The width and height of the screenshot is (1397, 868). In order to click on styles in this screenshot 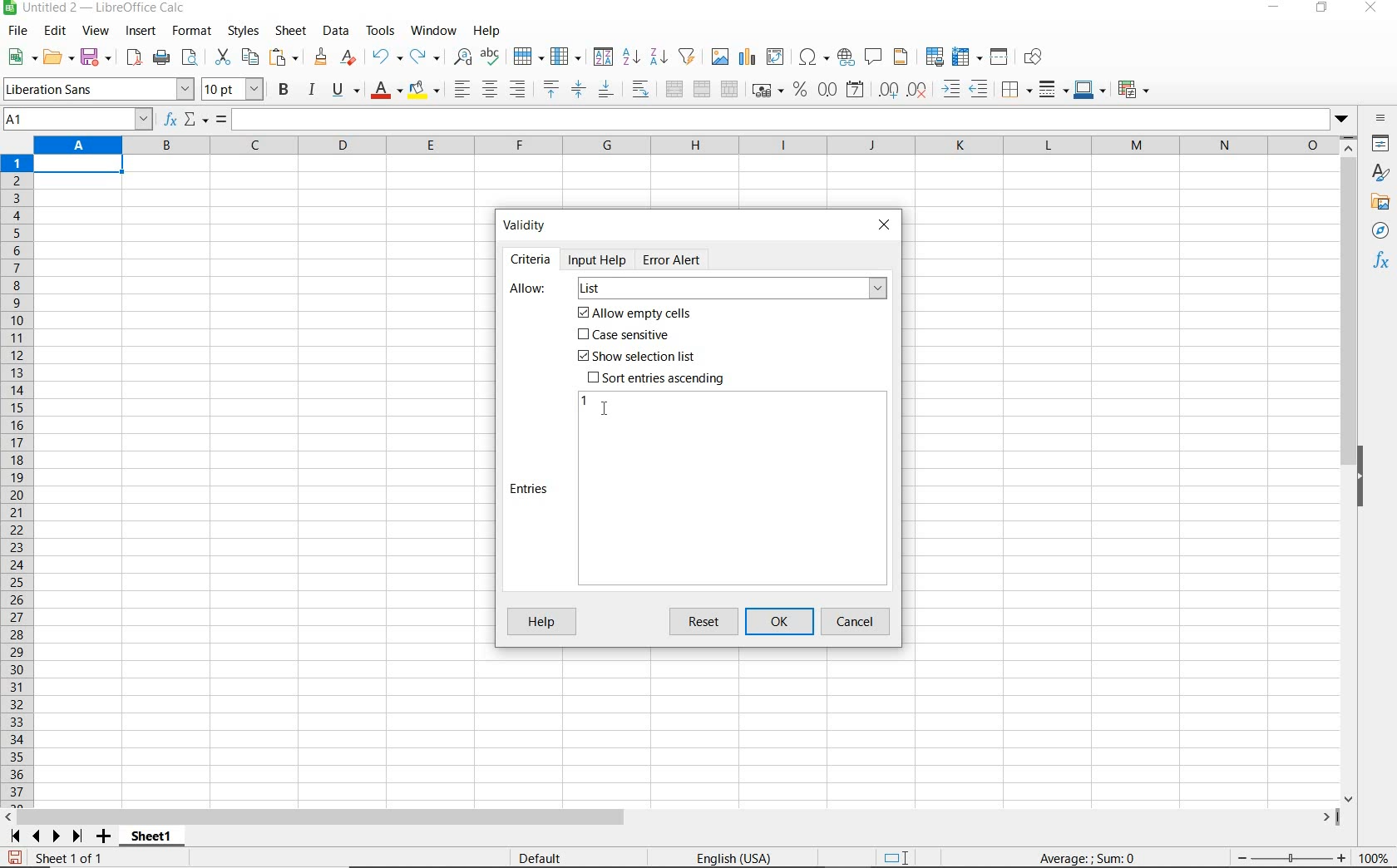, I will do `click(1381, 175)`.